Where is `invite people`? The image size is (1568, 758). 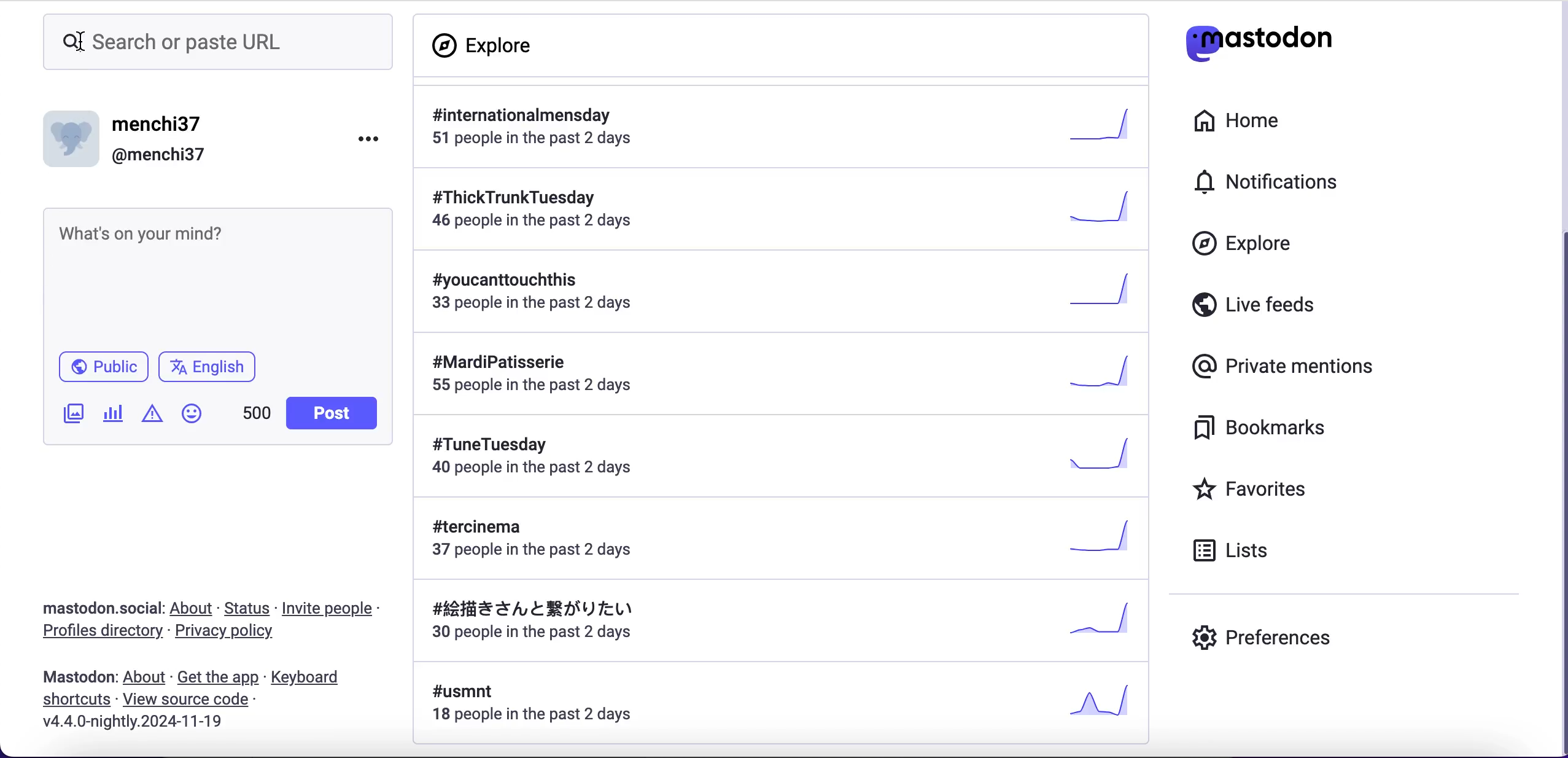 invite people is located at coordinates (332, 608).